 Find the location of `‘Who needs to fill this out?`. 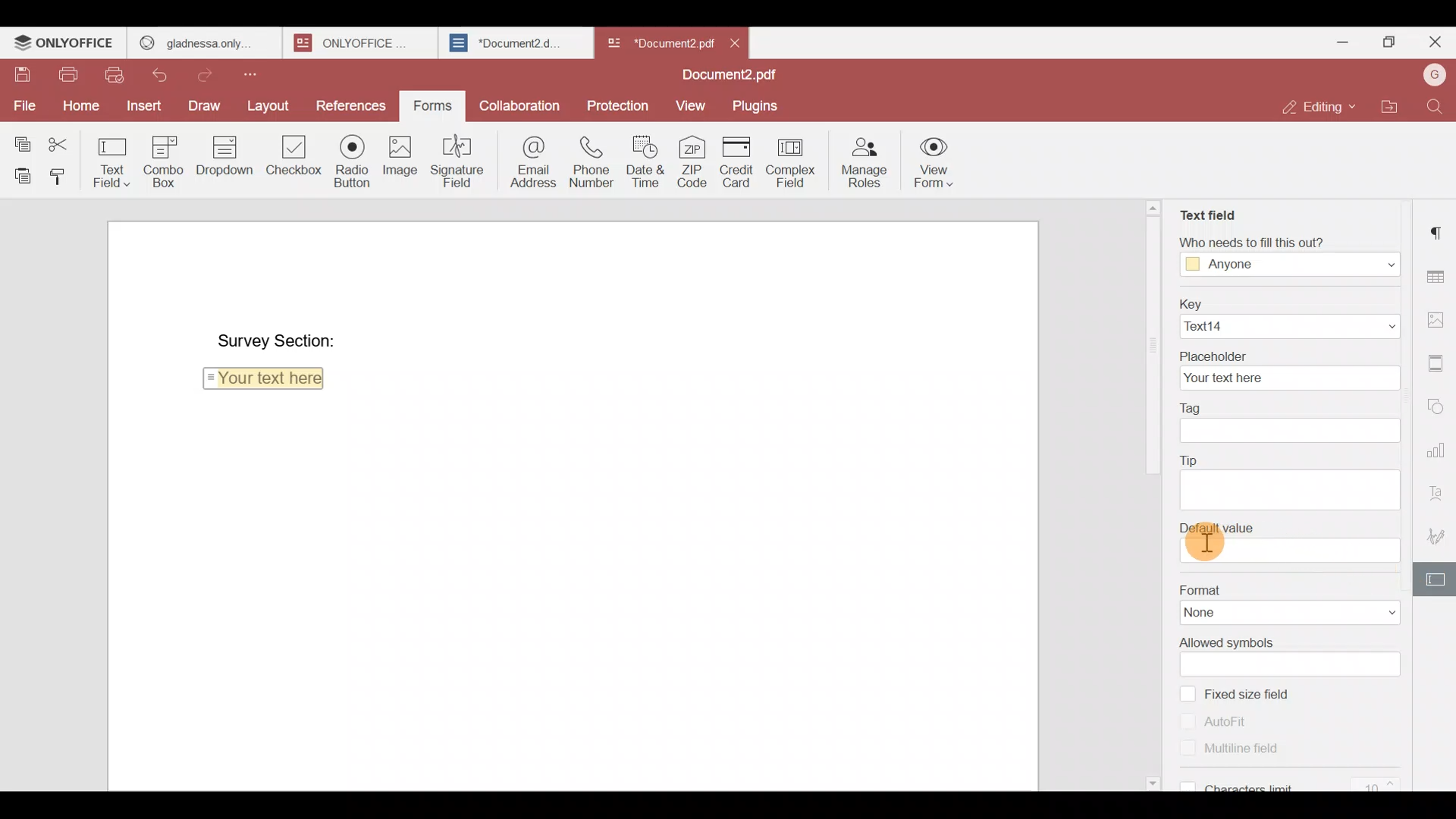

‘Who needs to fill this out? is located at coordinates (1288, 241).